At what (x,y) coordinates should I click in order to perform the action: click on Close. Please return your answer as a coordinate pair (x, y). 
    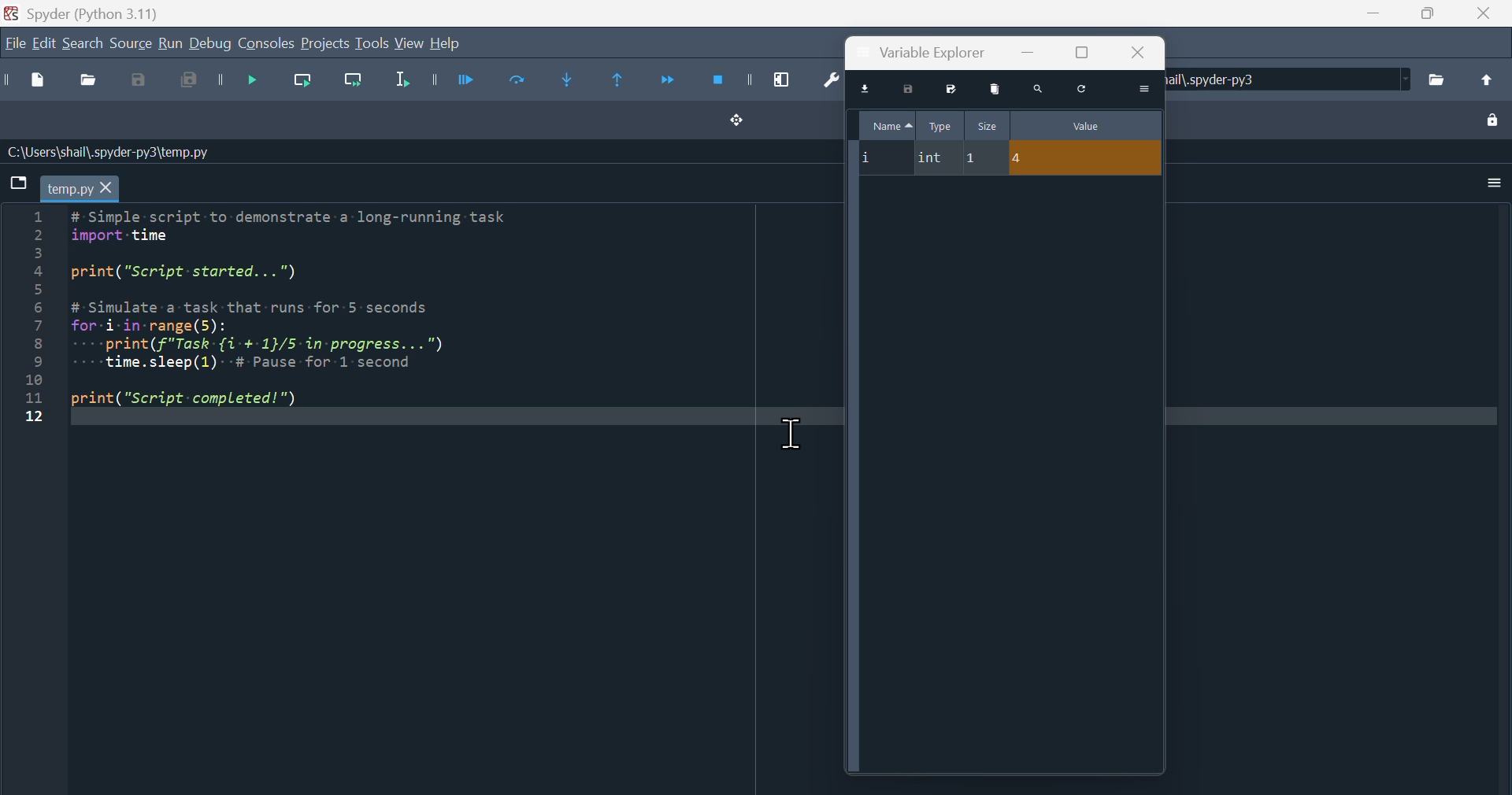
    Looking at the image, I should click on (1480, 14).